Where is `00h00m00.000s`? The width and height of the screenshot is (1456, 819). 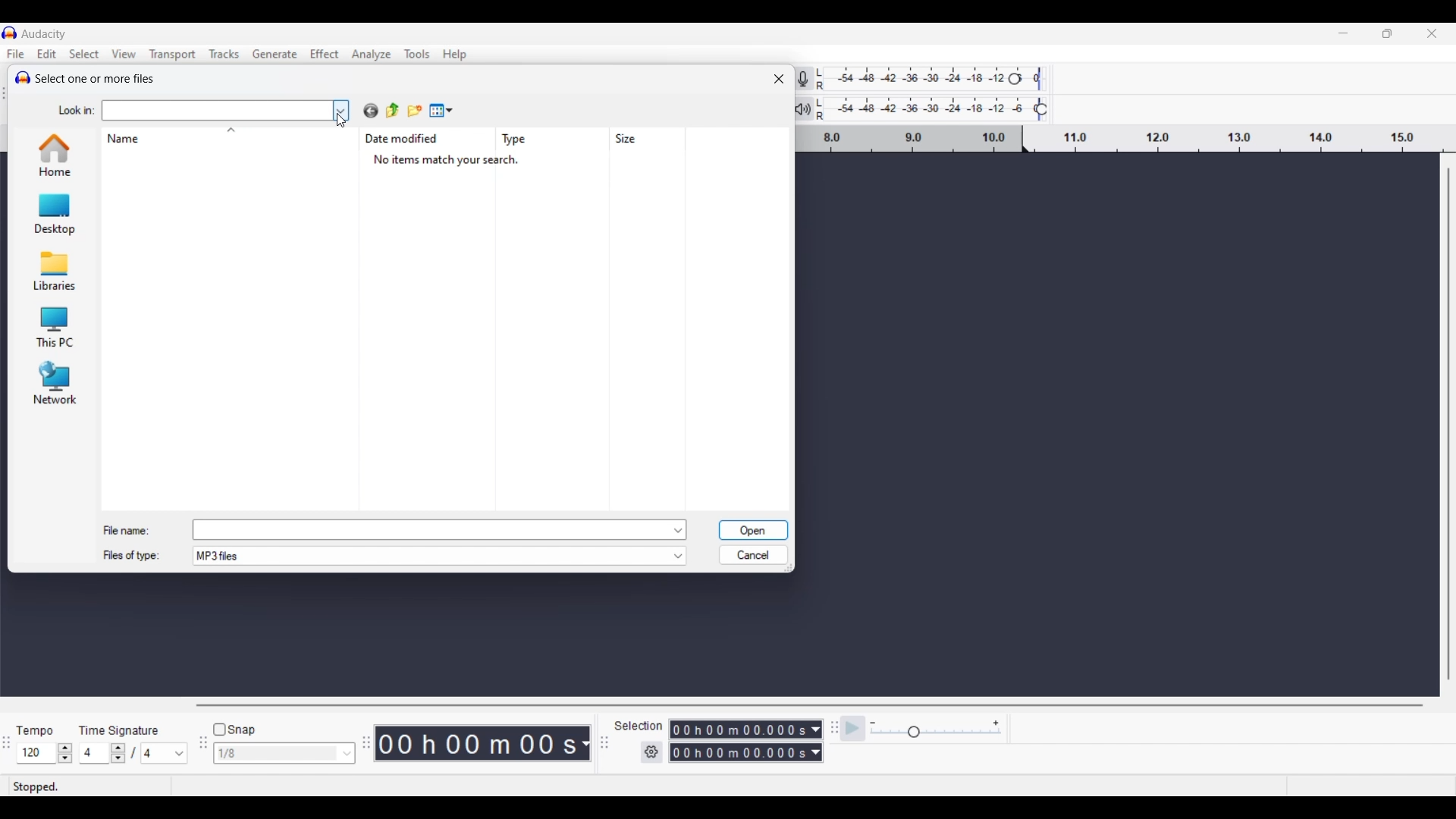 00h00m00.000s is located at coordinates (745, 755).